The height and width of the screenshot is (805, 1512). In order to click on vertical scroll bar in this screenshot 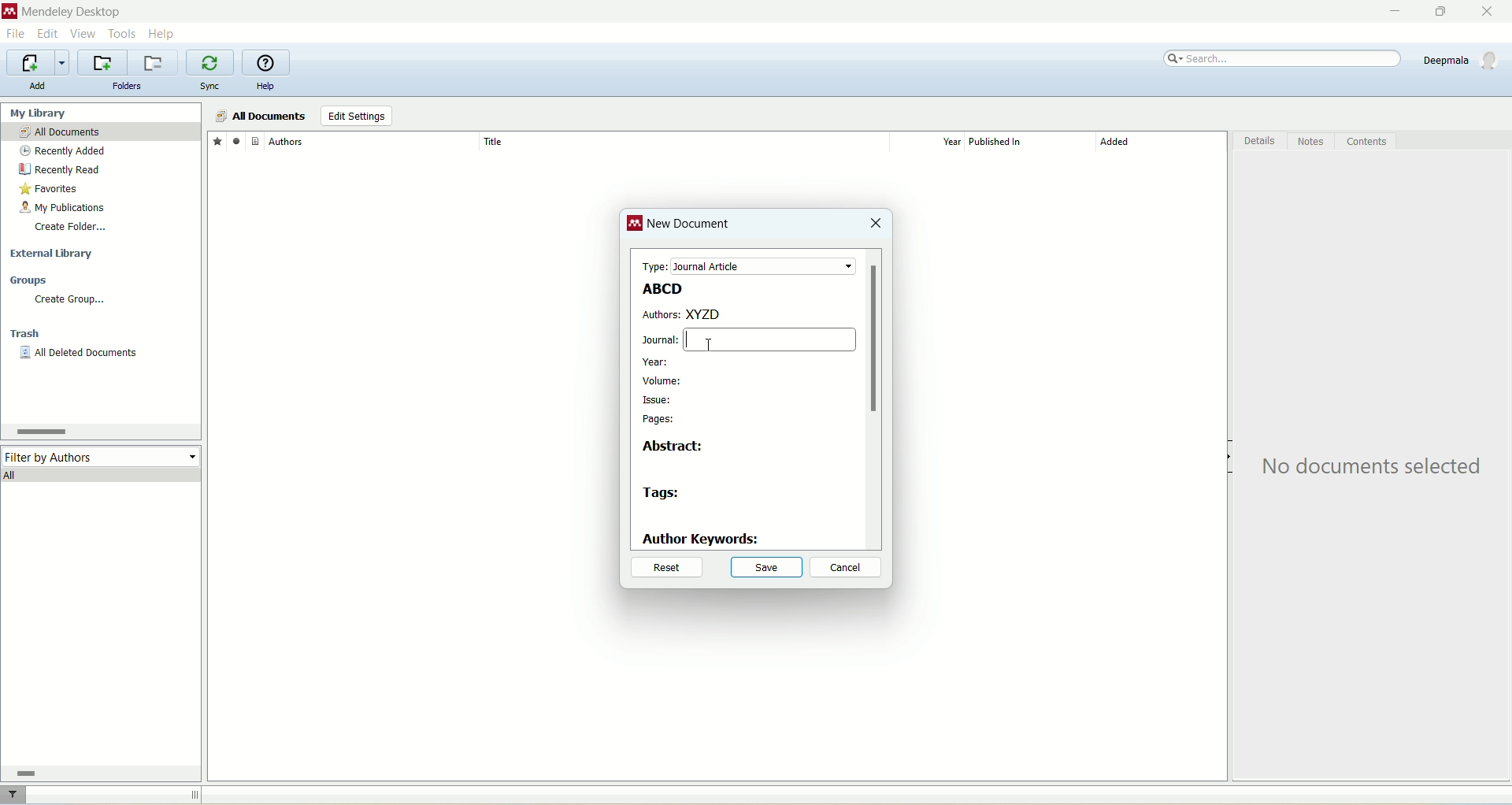, I will do `click(873, 399)`.